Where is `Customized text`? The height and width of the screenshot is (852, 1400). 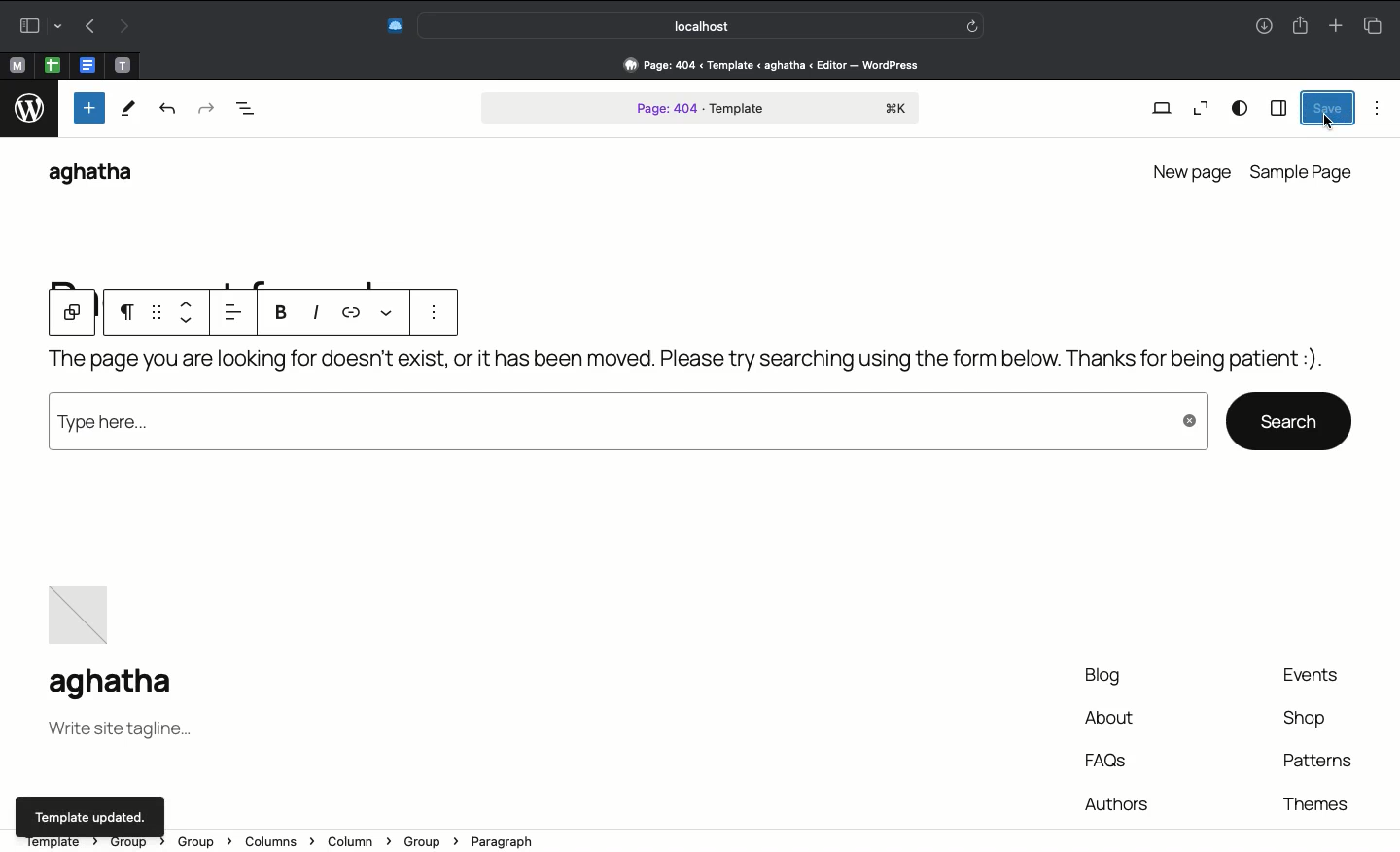 Customized text is located at coordinates (1204, 362).